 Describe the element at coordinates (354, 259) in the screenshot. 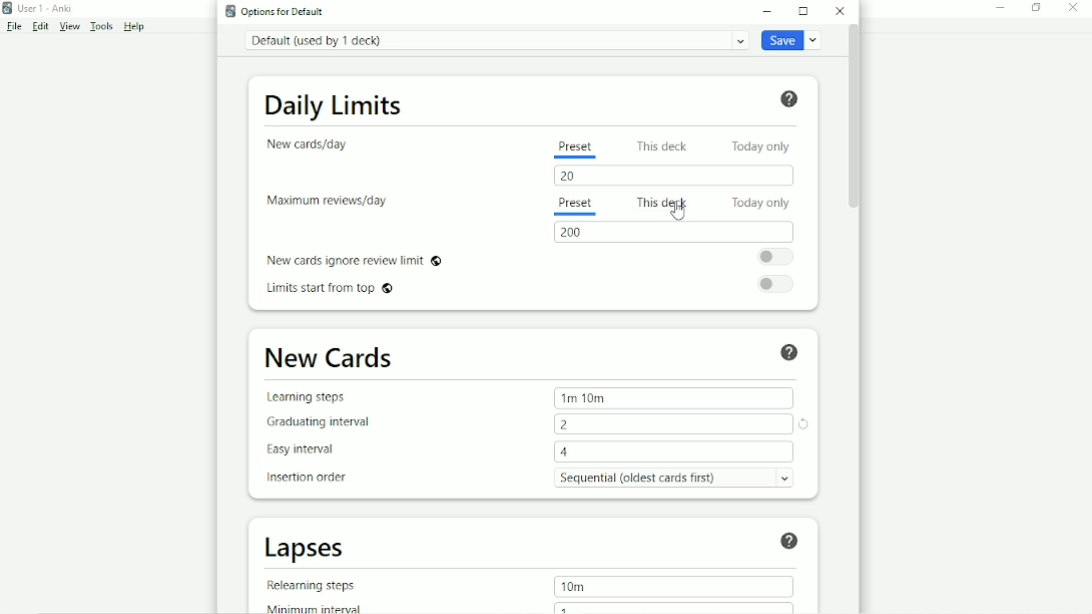

I see `New cards ignore review limit` at that location.